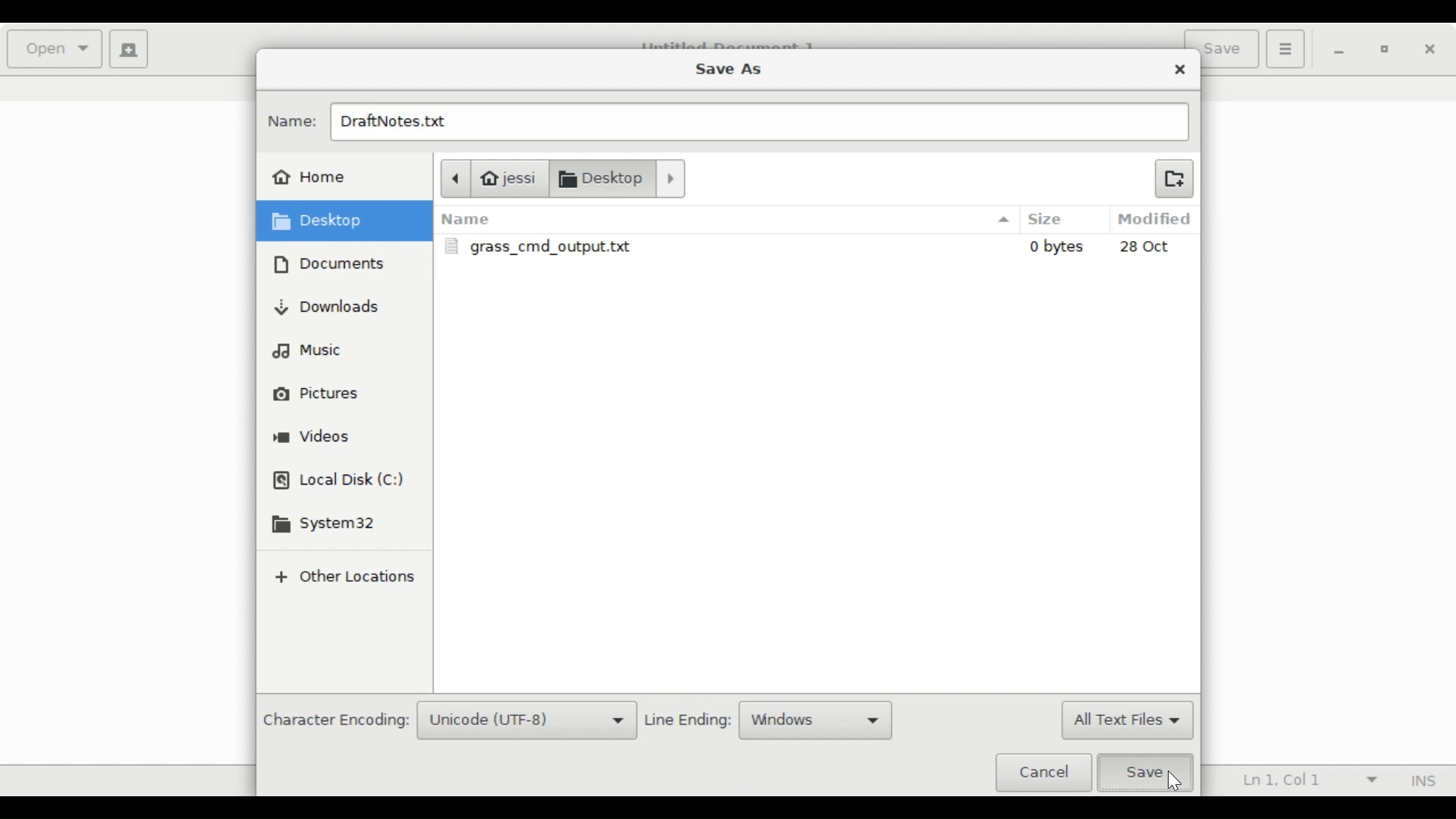 The width and height of the screenshot is (1456, 819). What do you see at coordinates (328, 525) in the screenshot?
I see `System32` at bounding box center [328, 525].